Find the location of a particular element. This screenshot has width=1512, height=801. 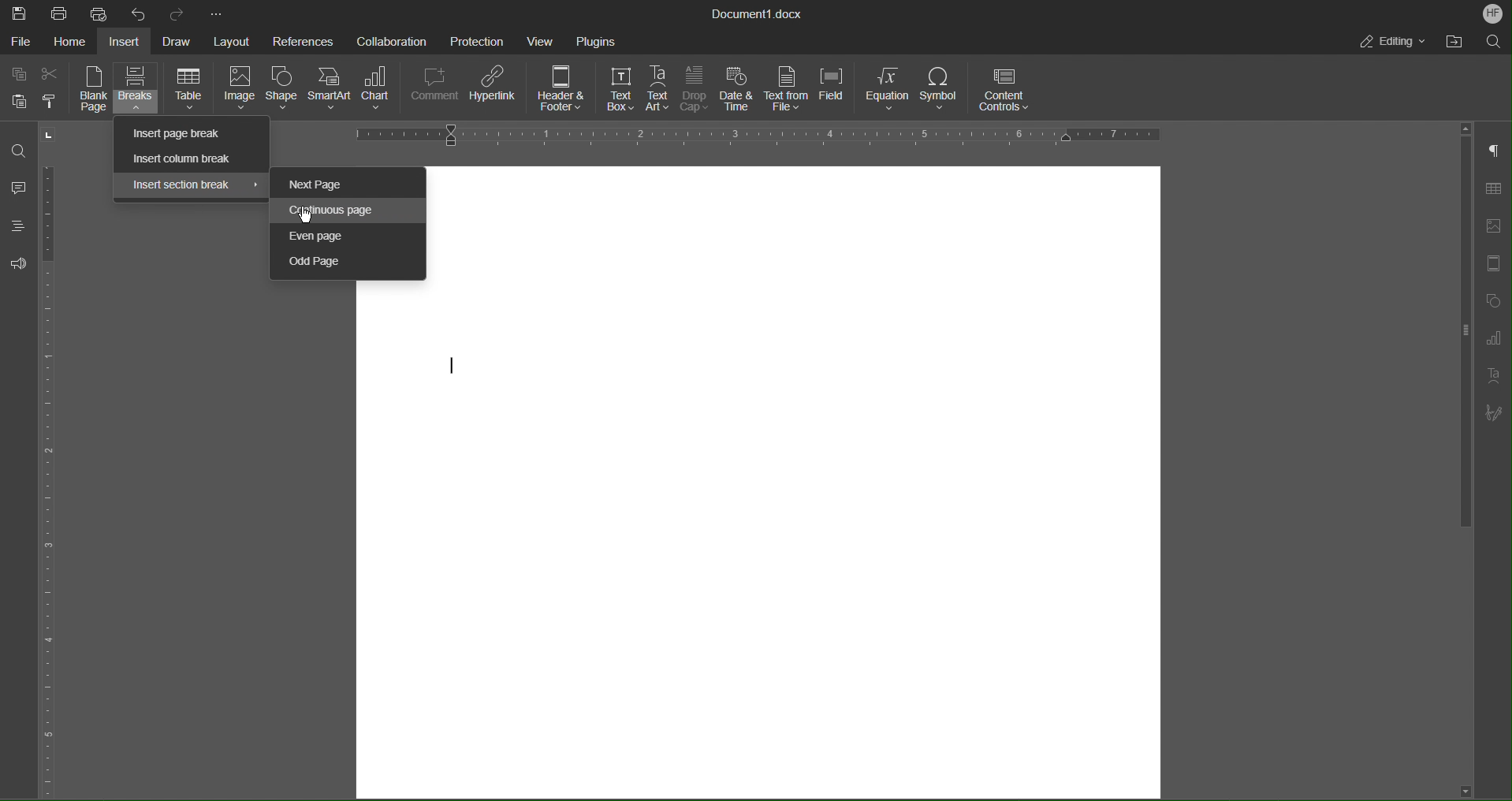

Graphs is located at coordinates (1492, 339).